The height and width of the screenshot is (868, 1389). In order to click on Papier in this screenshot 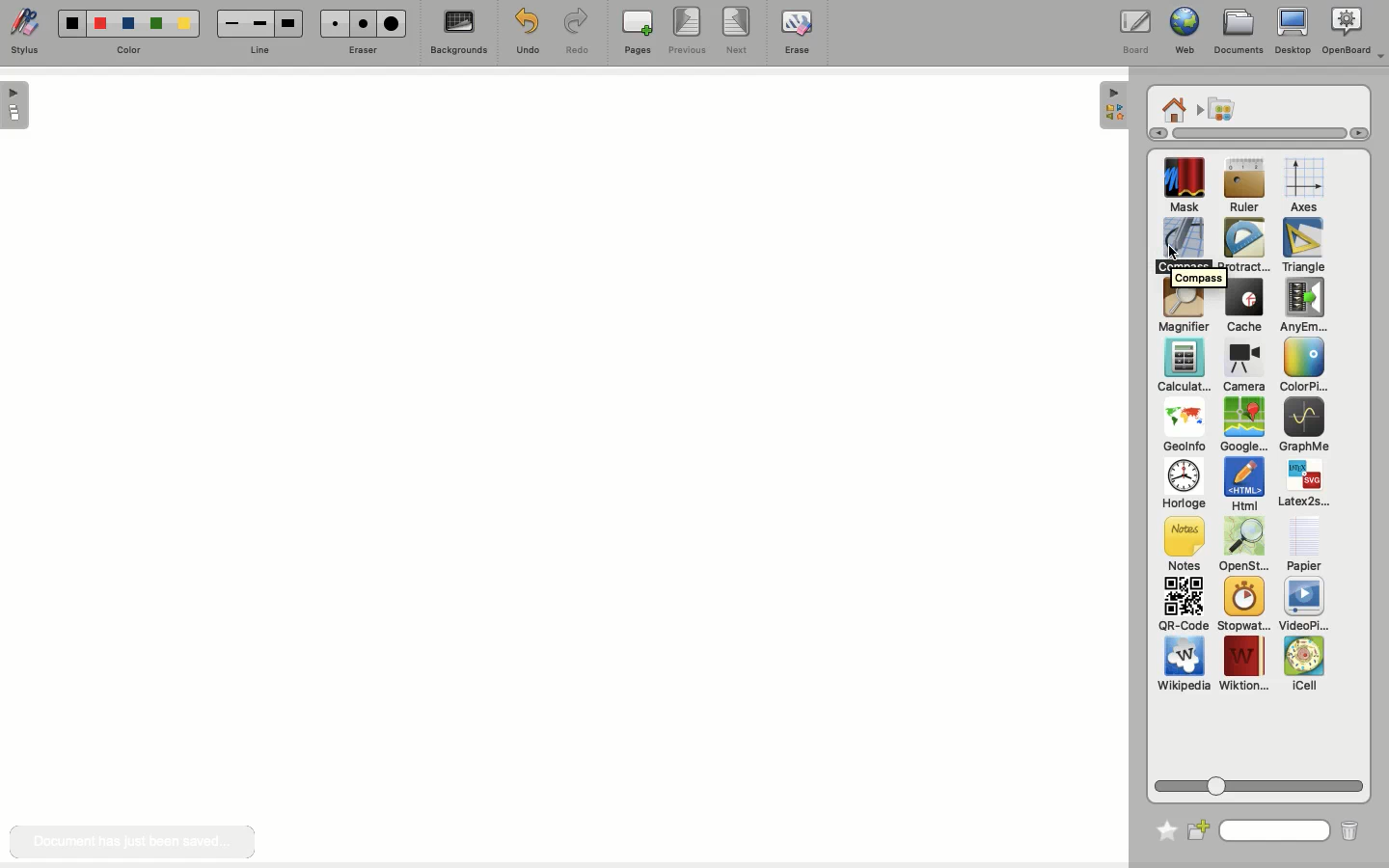, I will do `click(1303, 543)`.